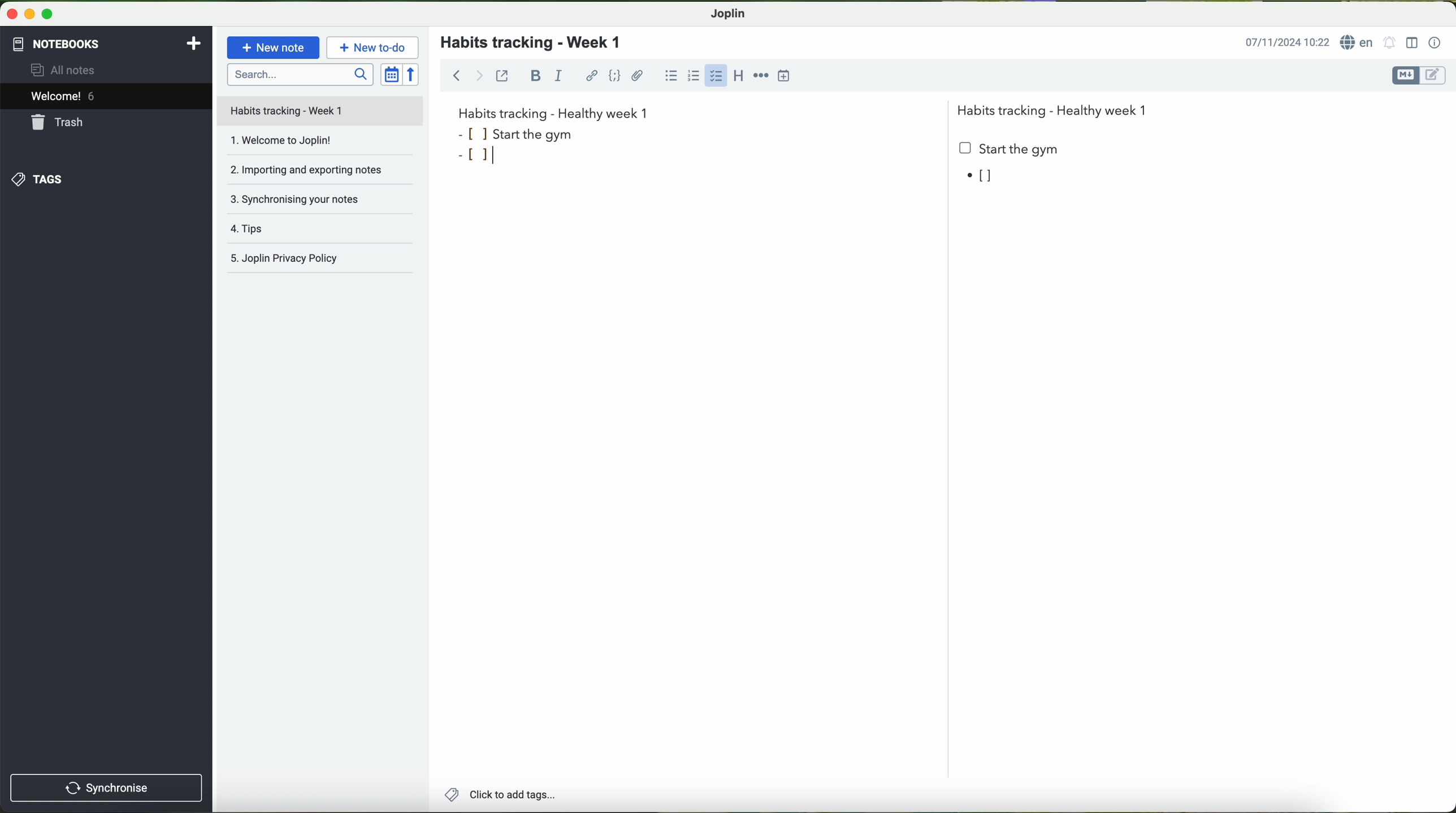  I want to click on tips, so click(322, 231).